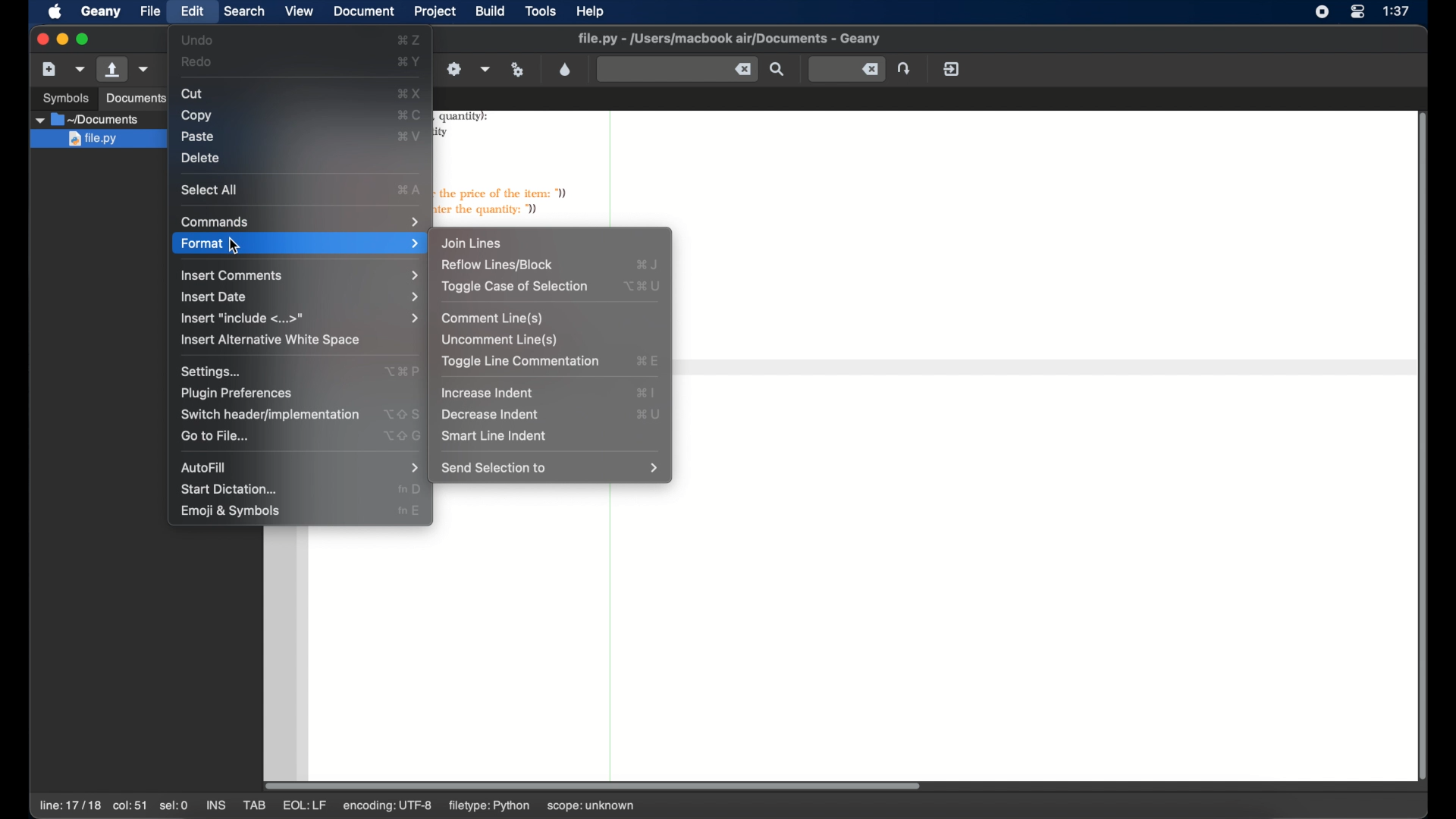 The height and width of the screenshot is (819, 1456). Describe the element at coordinates (472, 243) in the screenshot. I see `join lines` at that location.